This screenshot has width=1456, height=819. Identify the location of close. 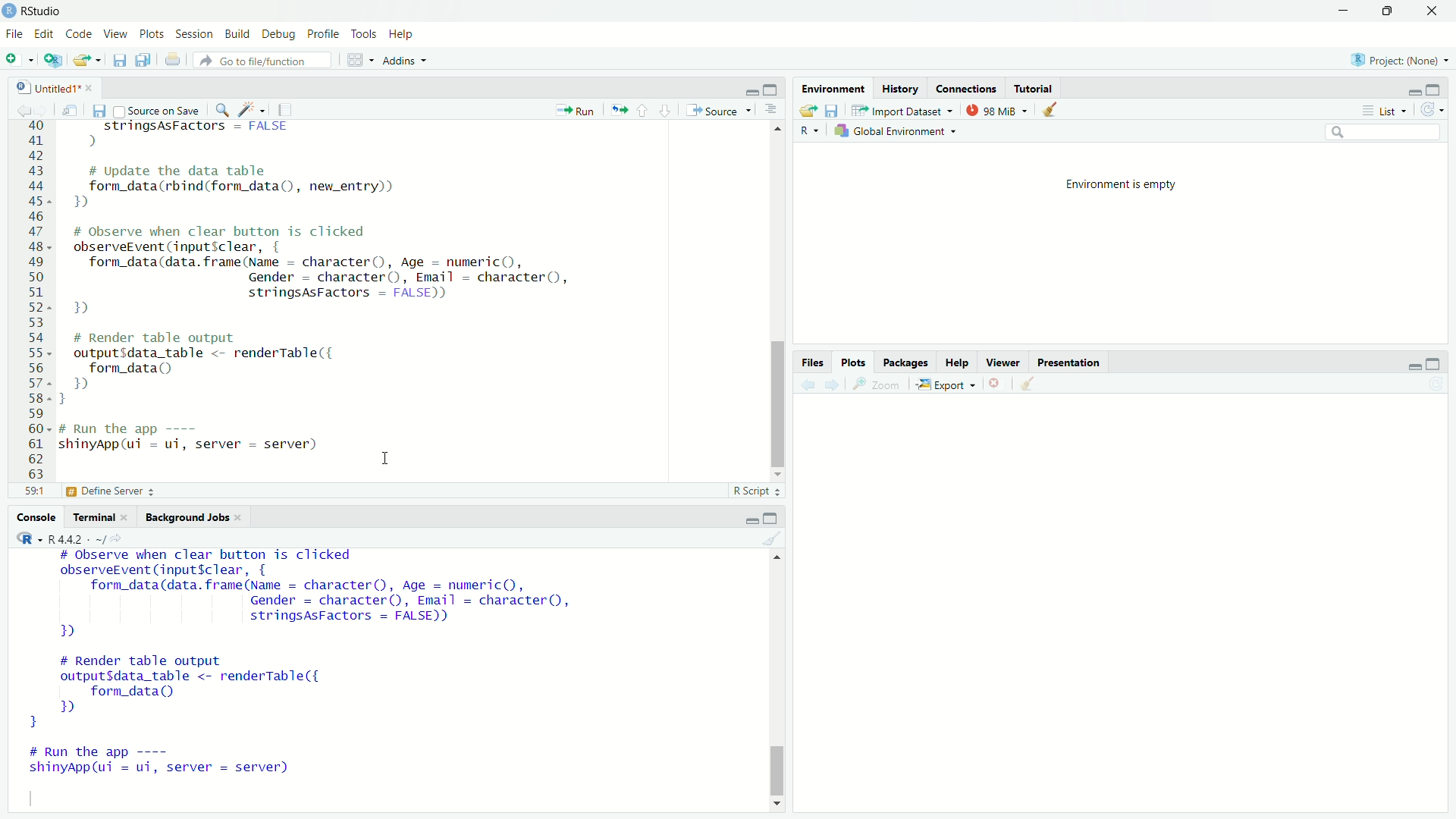
(1436, 11).